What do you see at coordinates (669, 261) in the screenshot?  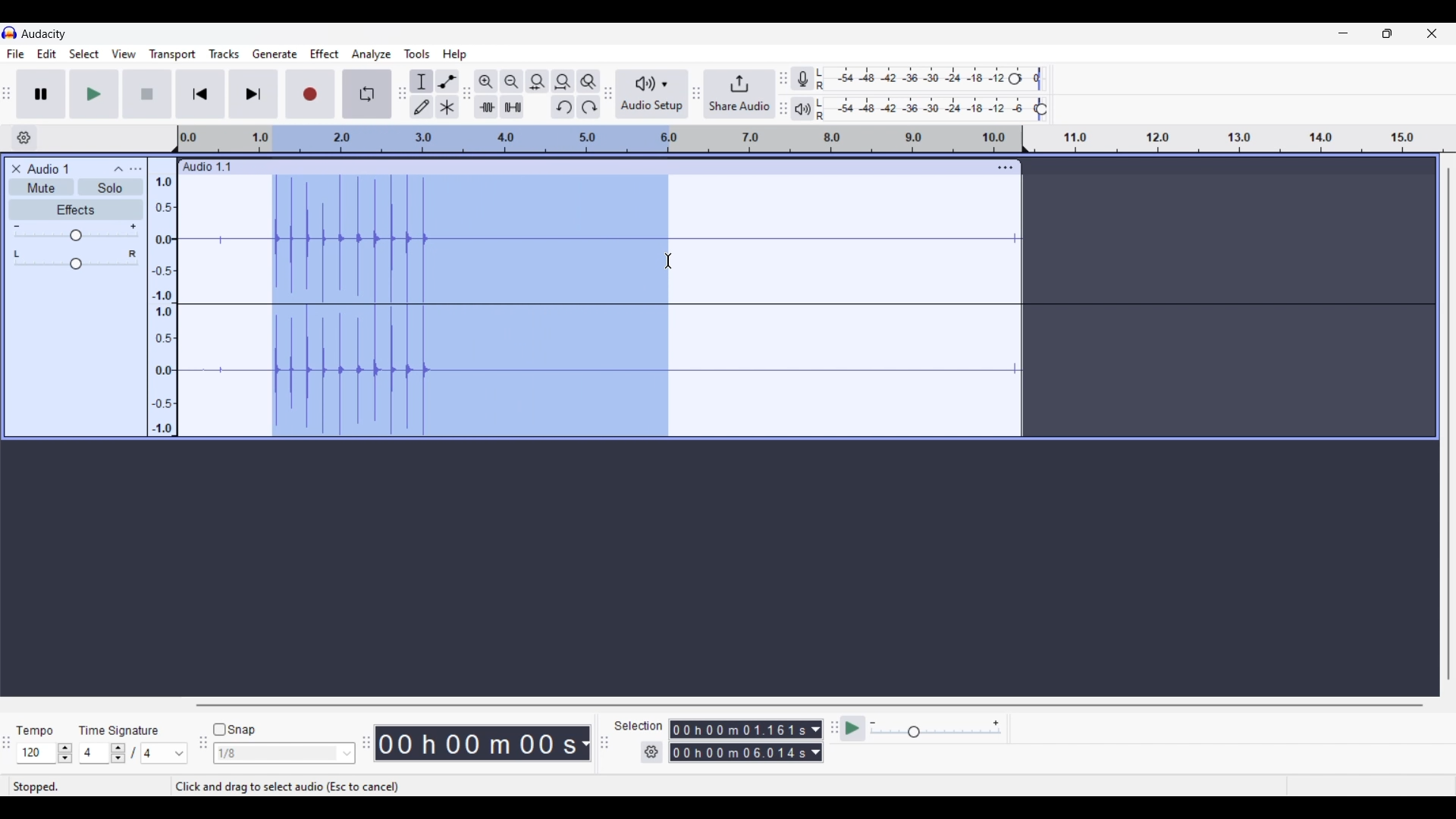 I see `Cursor position unchanged` at bounding box center [669, 261].